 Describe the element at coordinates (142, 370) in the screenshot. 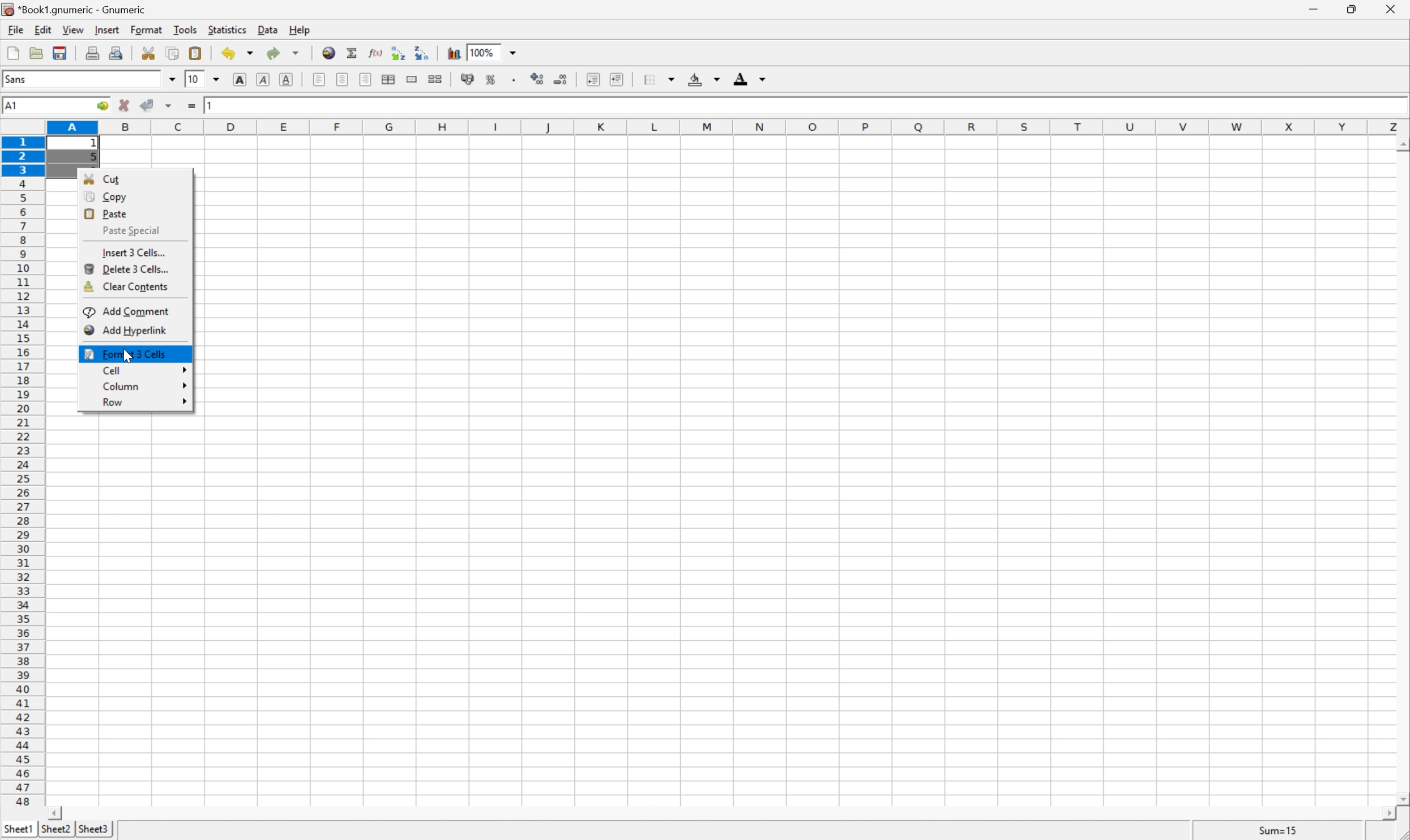

I see `cell` at that location.